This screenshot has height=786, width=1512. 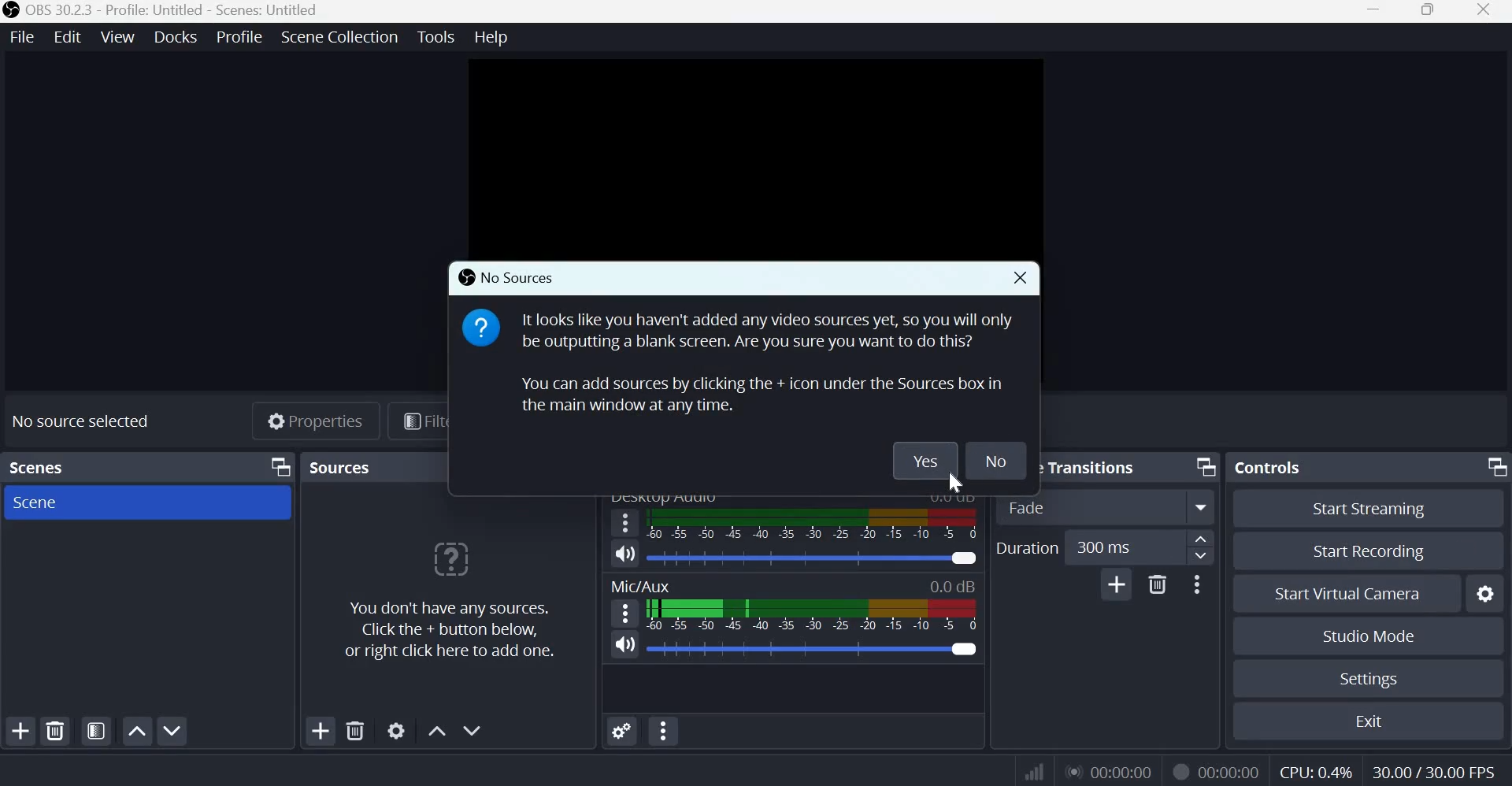 I want to click on Open source properties, so click(x=395, y=731).